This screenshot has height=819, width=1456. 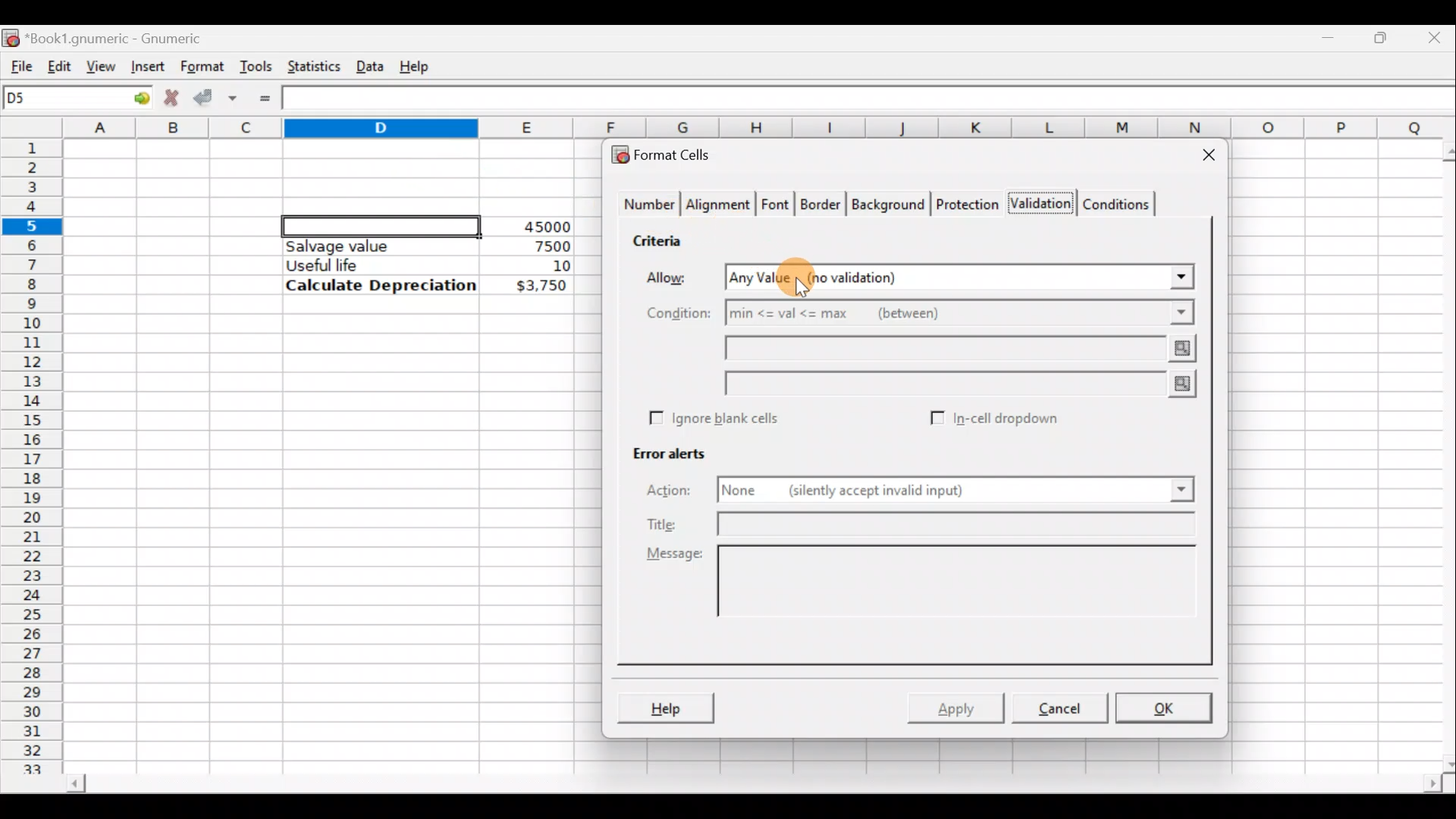 I want to click on View, so click(x=102, y=65).